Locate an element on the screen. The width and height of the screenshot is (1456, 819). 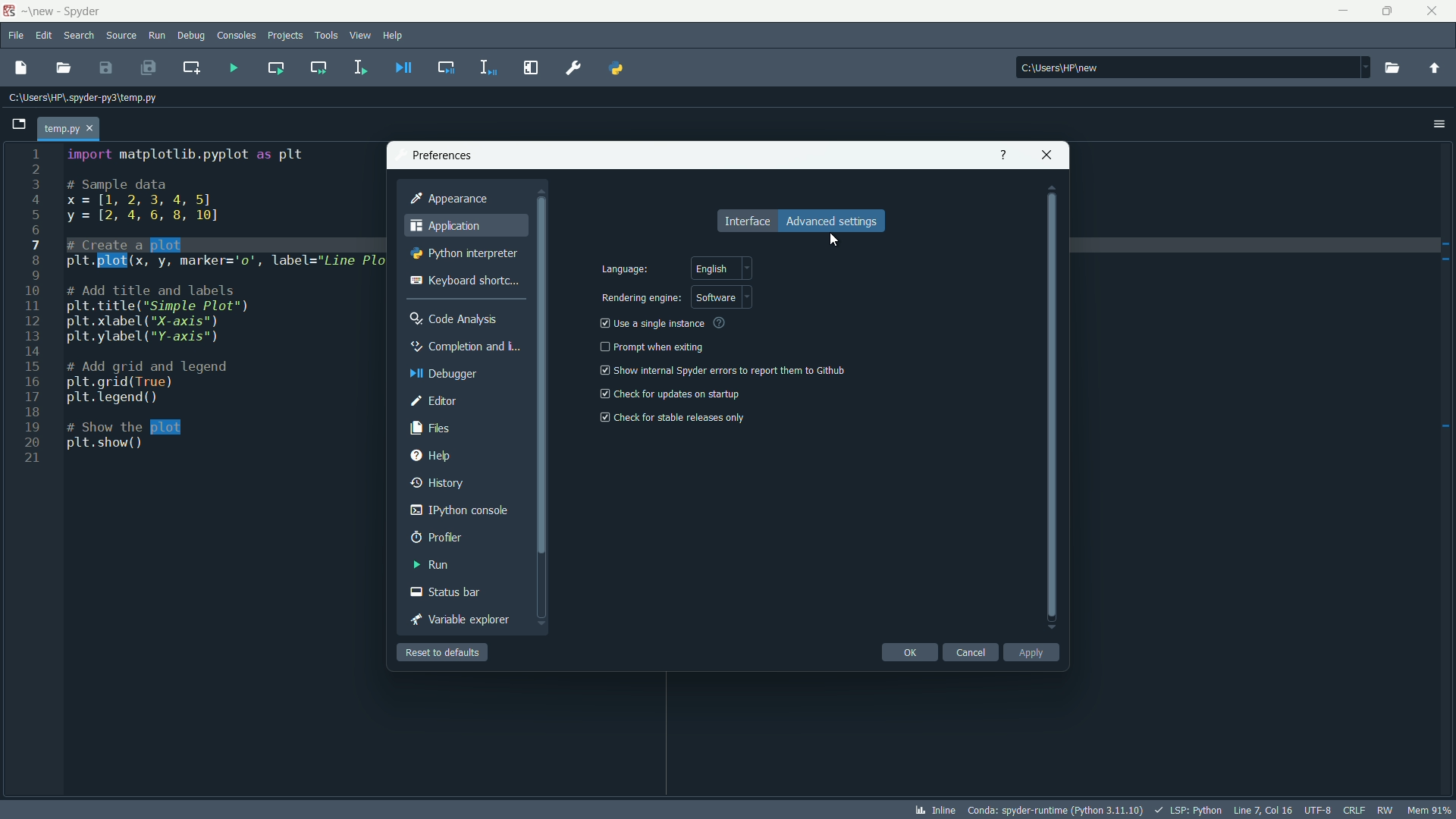
vertical scrollbar is located at coordinates (1053, 408).